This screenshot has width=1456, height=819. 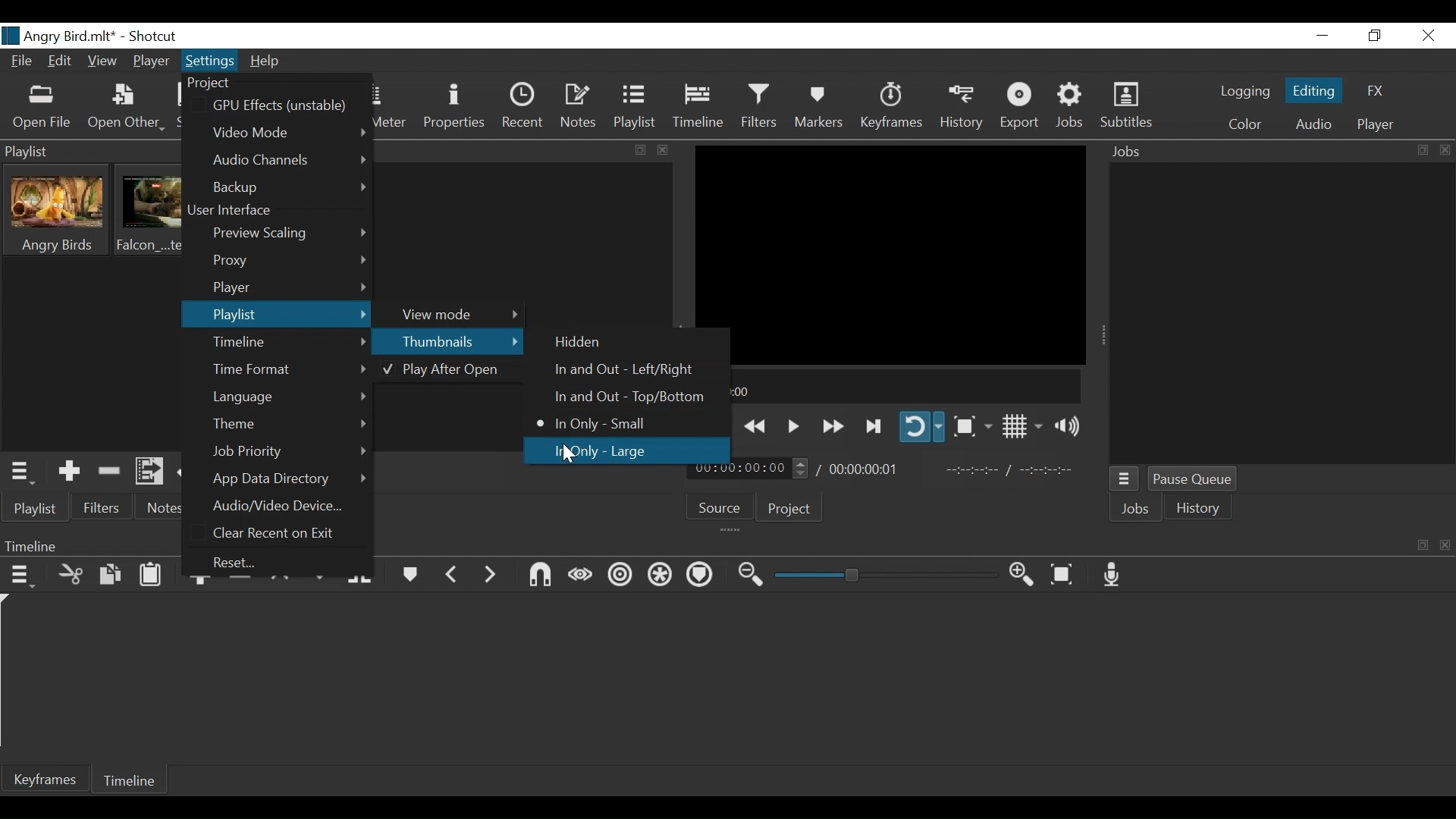 I want to click on Edit, so click(x=60, y=61).